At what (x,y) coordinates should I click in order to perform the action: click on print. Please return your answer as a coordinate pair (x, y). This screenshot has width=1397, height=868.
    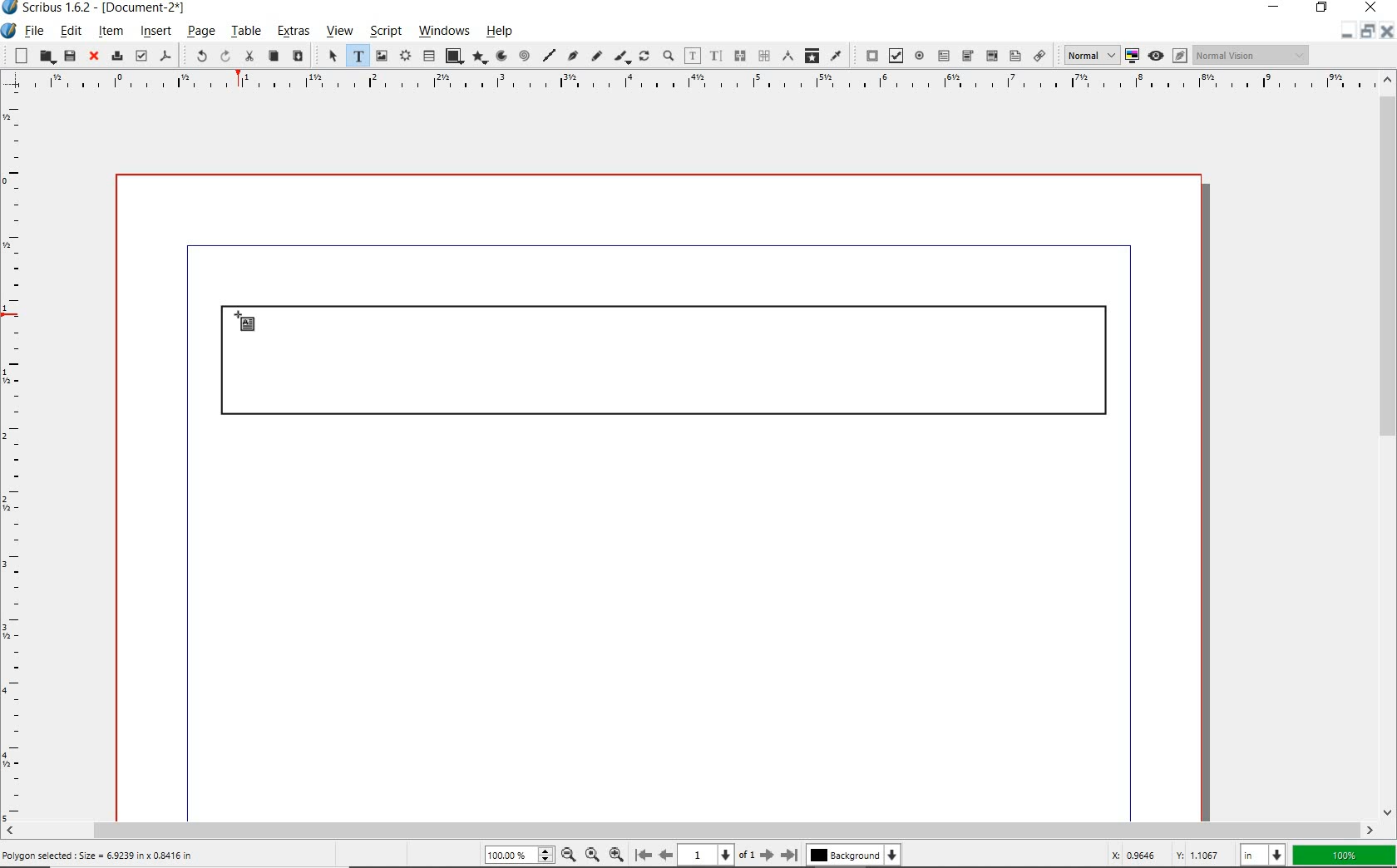
    Looking at the image, I should click on (116, 56).